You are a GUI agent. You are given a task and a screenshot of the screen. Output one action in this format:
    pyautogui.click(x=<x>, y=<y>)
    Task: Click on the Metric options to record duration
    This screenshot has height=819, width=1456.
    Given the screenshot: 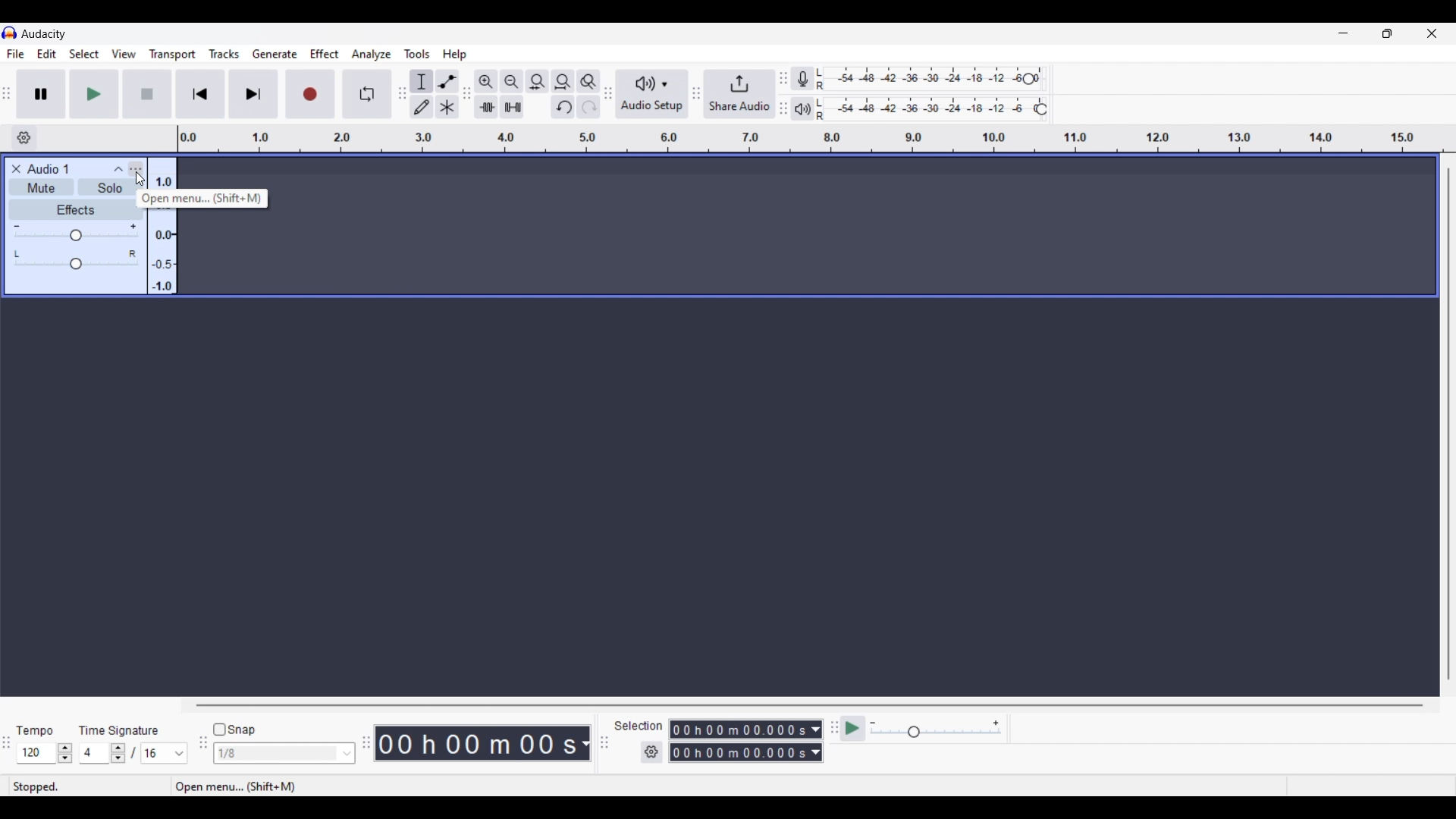 What is the action you would take?
    pyautogui.click(x=814, y=742)
    